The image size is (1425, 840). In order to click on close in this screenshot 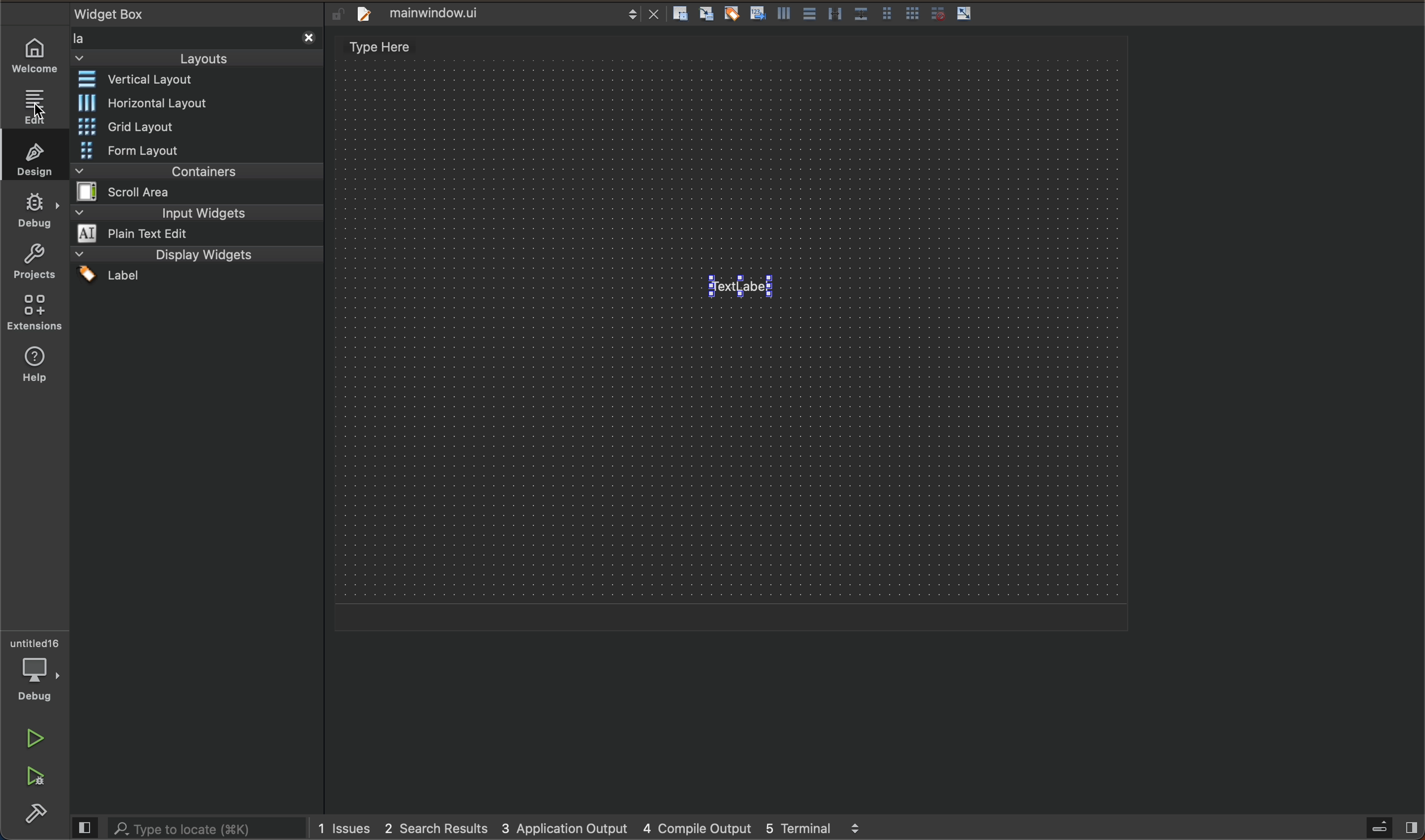, I will do `click(656, 13)`.